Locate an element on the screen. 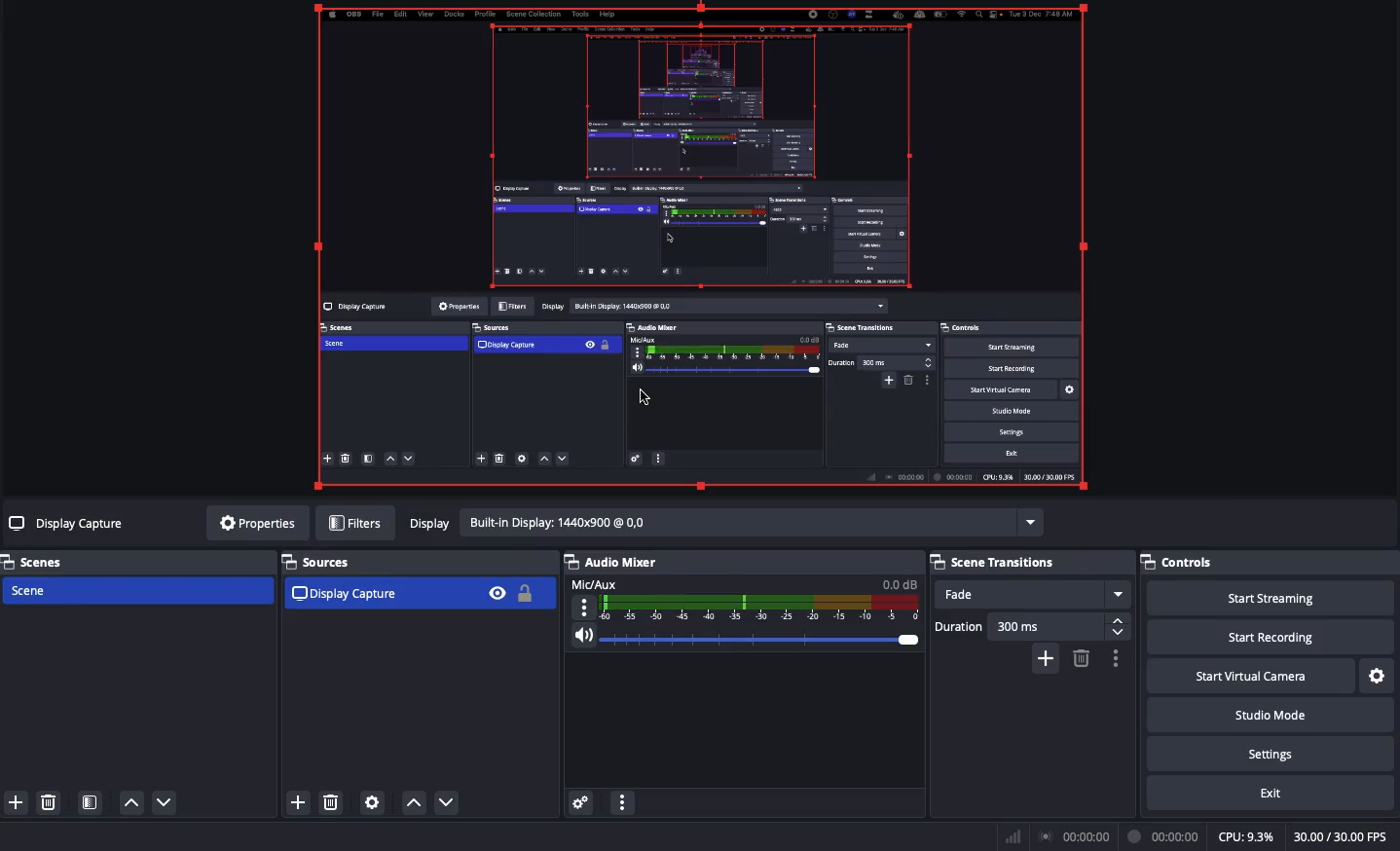 This screenshot has width=1400, height=851. Visible is located at coordinates (498, 591).